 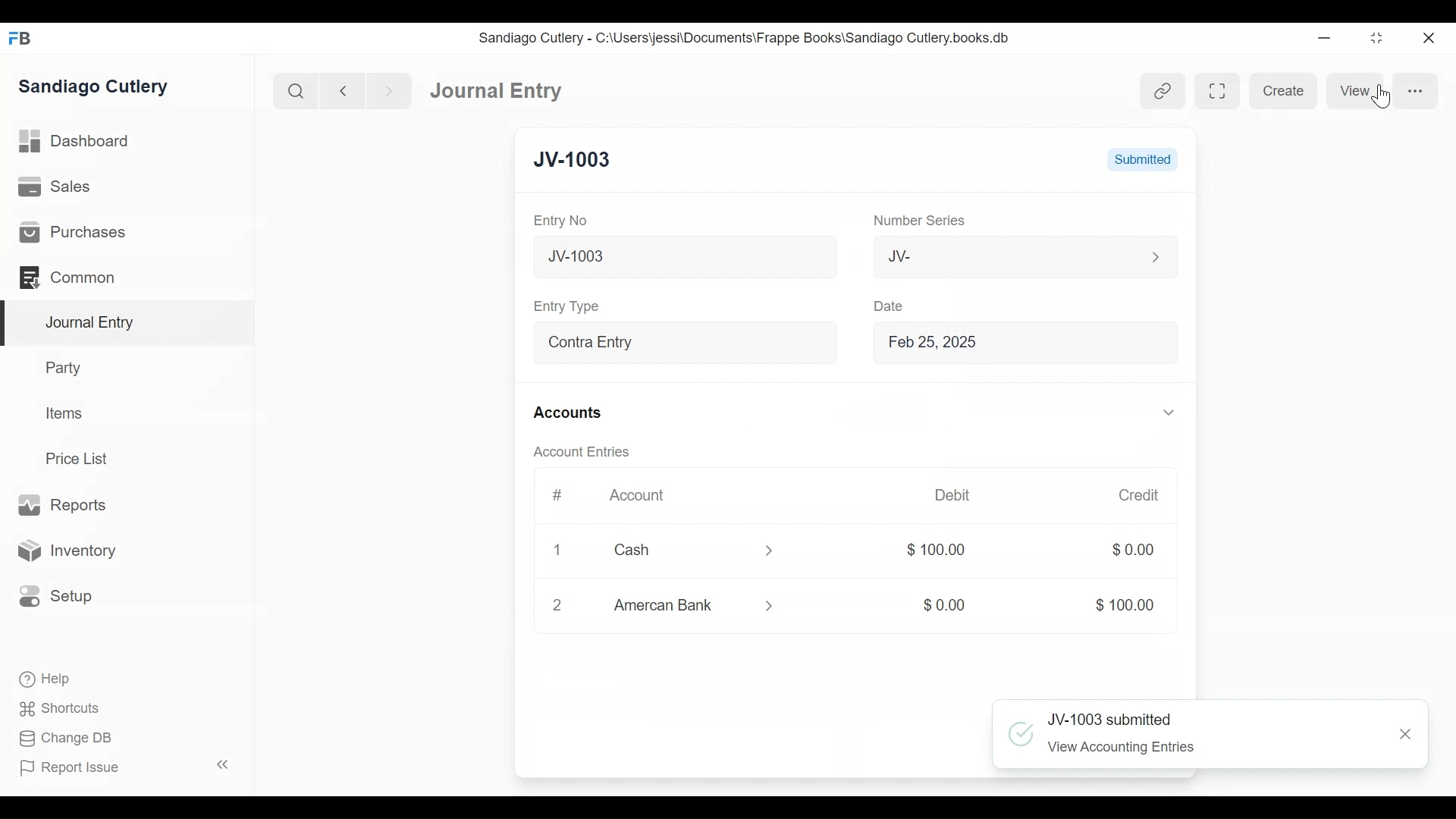 What do you see at coordinates (1285, 92) in the screenshot?
I see `Create` at bounding box center [1285, 92].